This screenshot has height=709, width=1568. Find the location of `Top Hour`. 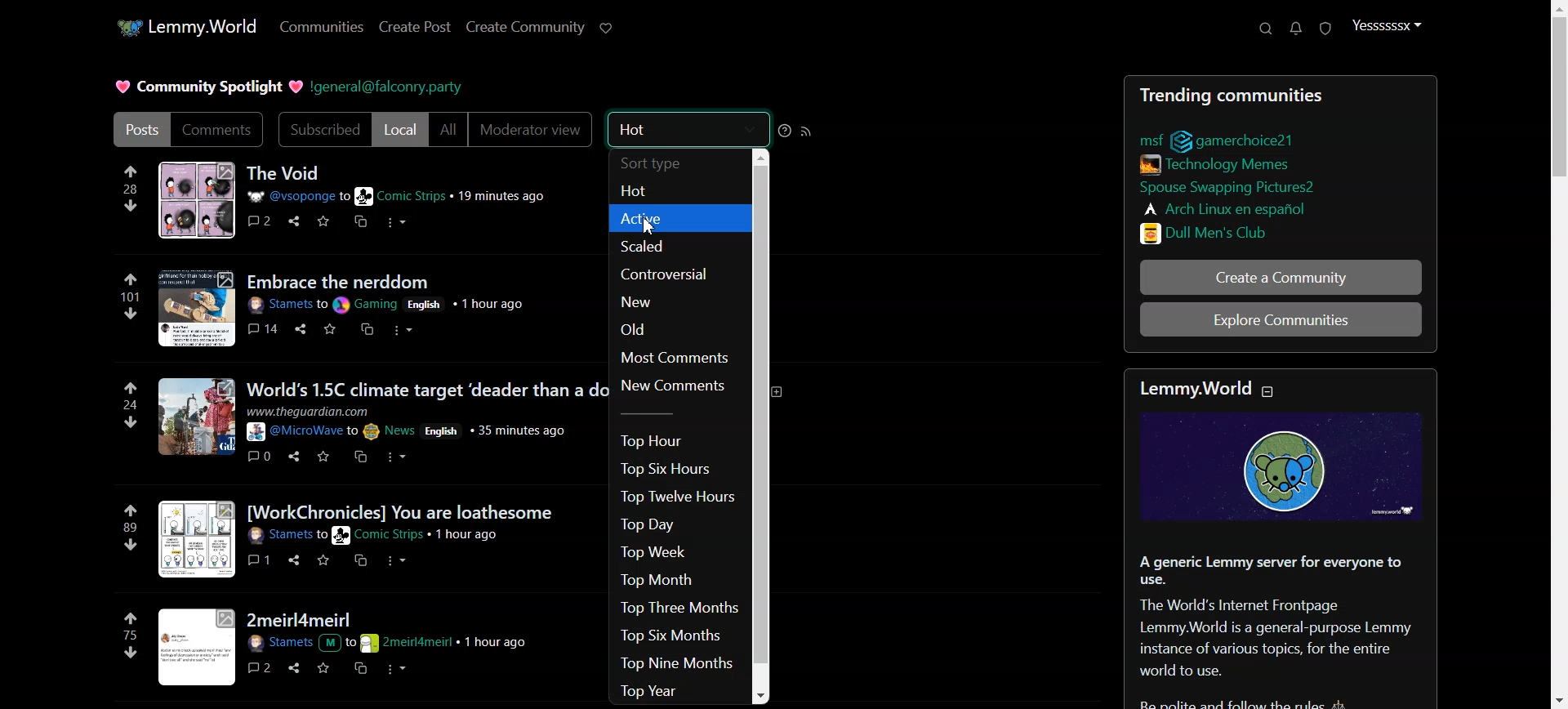

Top Hour is located at coordinates (674, 440).